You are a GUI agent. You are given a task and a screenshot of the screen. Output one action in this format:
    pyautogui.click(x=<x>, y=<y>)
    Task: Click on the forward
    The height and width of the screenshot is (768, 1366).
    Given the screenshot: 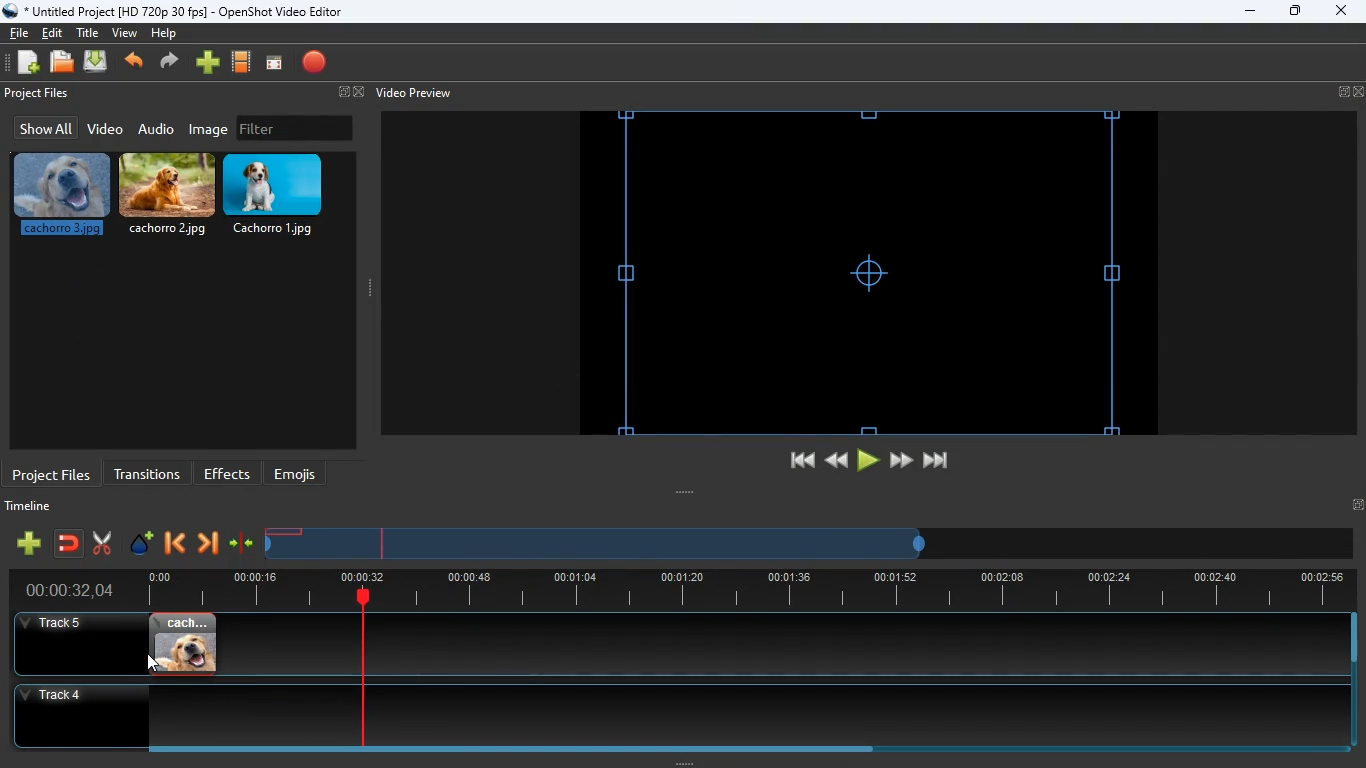 What is the action you would take?
    pyautogui.click(x=207, y=545)
    